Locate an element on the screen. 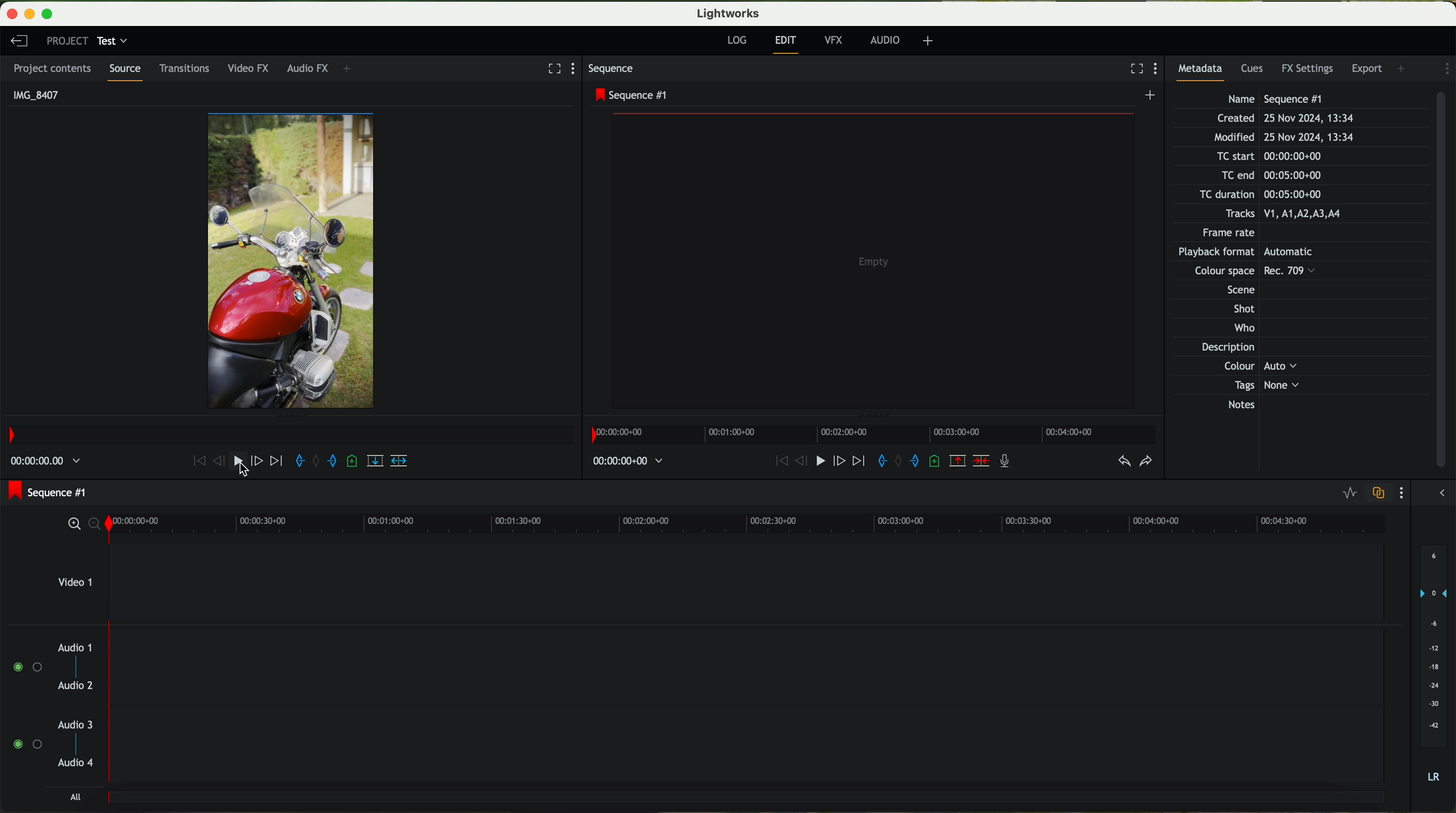 This screenshot has height=813, width=1456. Name is located at coordinates (1278, 98).